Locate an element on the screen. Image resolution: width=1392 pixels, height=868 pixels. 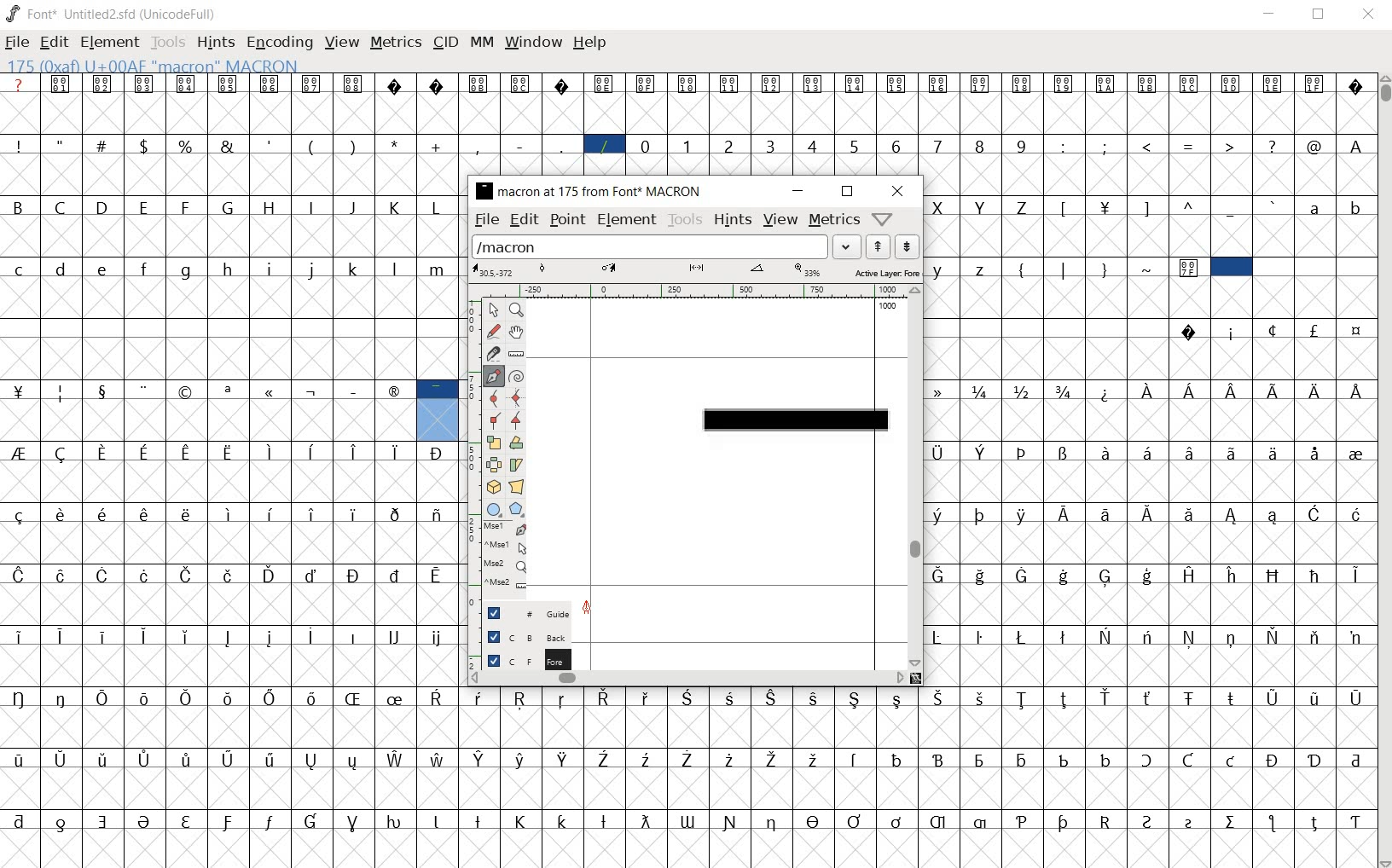
Symbol is located at coordinates (1230, 698).